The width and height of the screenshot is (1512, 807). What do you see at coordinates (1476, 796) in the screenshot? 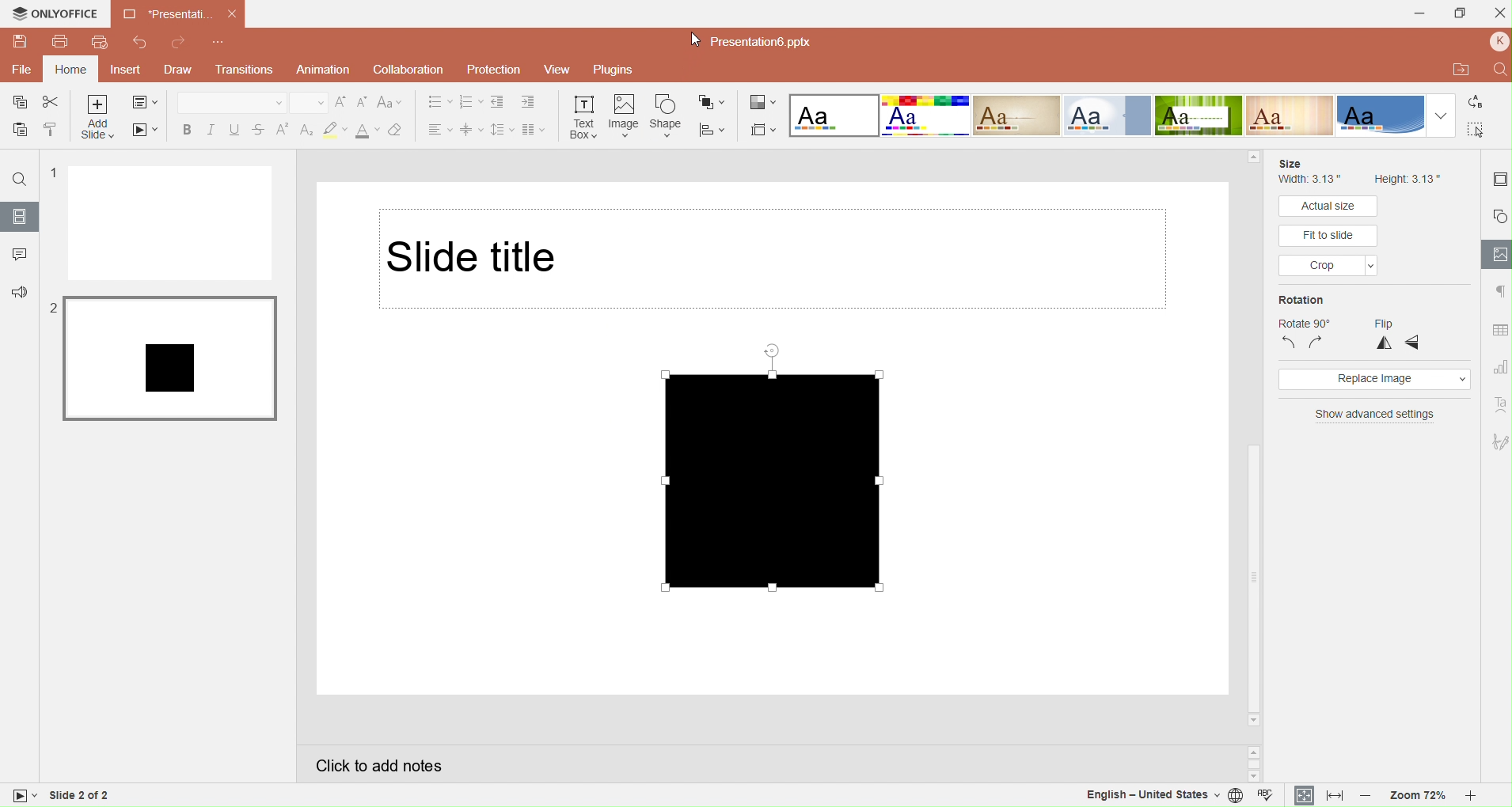
I see `Zoom in` at bounding box center [1476, 796].